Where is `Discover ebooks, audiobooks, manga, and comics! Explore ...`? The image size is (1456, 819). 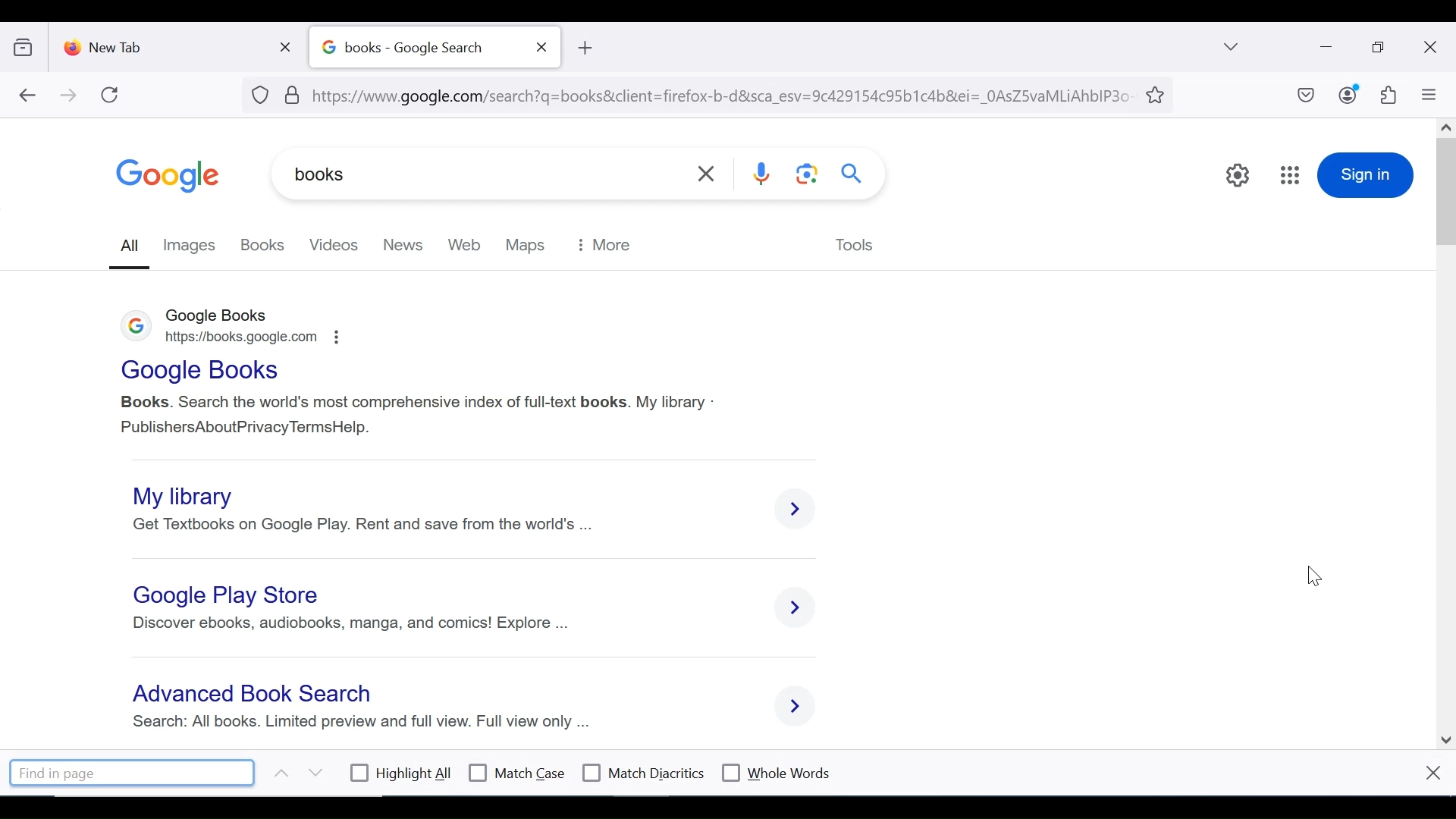
Discover ebooks, audiobooks, manga, and comics! Explore ... is located at coordinates (347, 623).